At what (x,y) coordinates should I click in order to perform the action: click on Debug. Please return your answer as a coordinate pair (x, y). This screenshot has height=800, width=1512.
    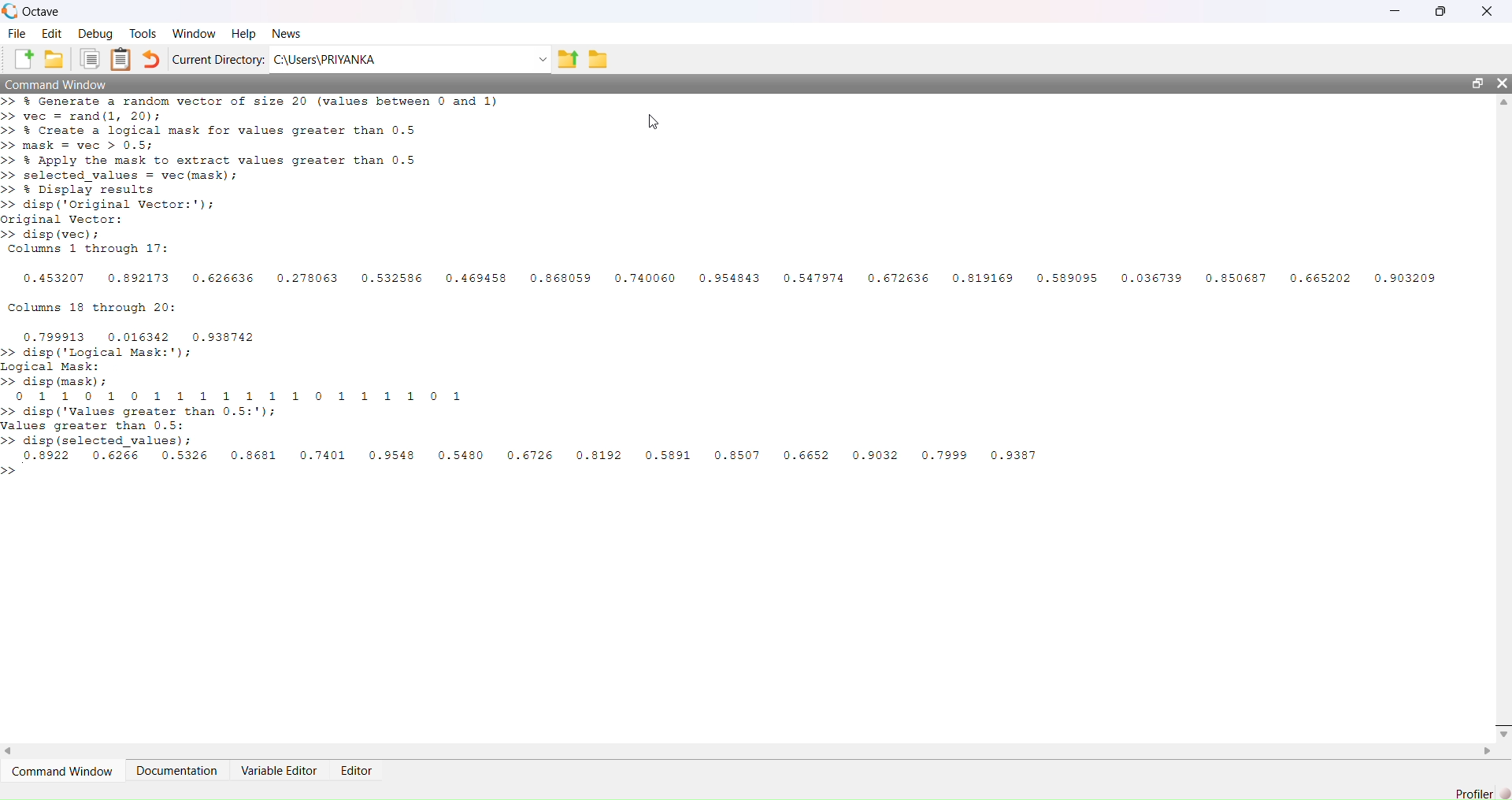
    Looking at the image, I should click on (98, 35).